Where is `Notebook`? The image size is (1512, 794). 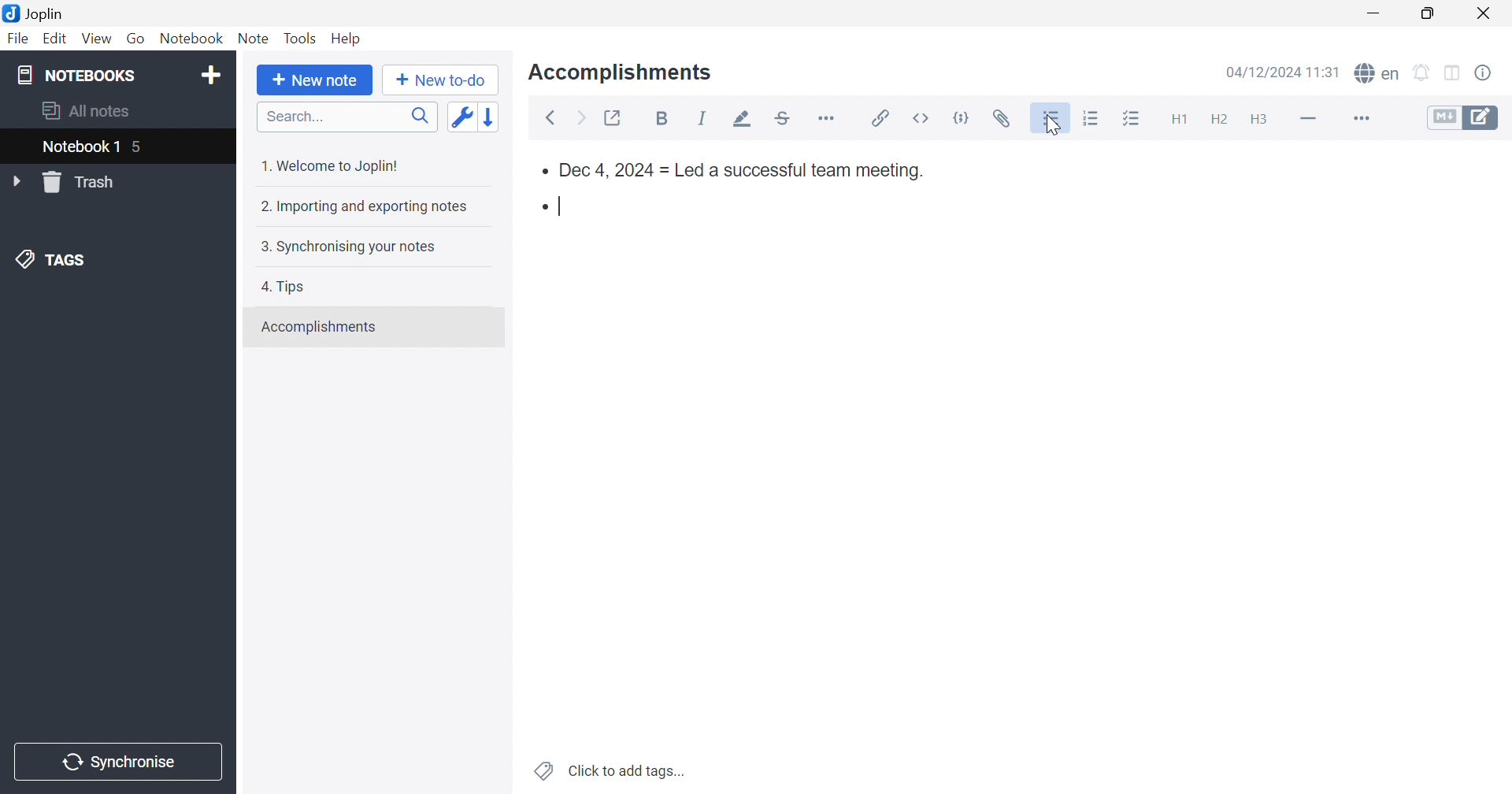
Notebook is located at coordinates (191, 38).